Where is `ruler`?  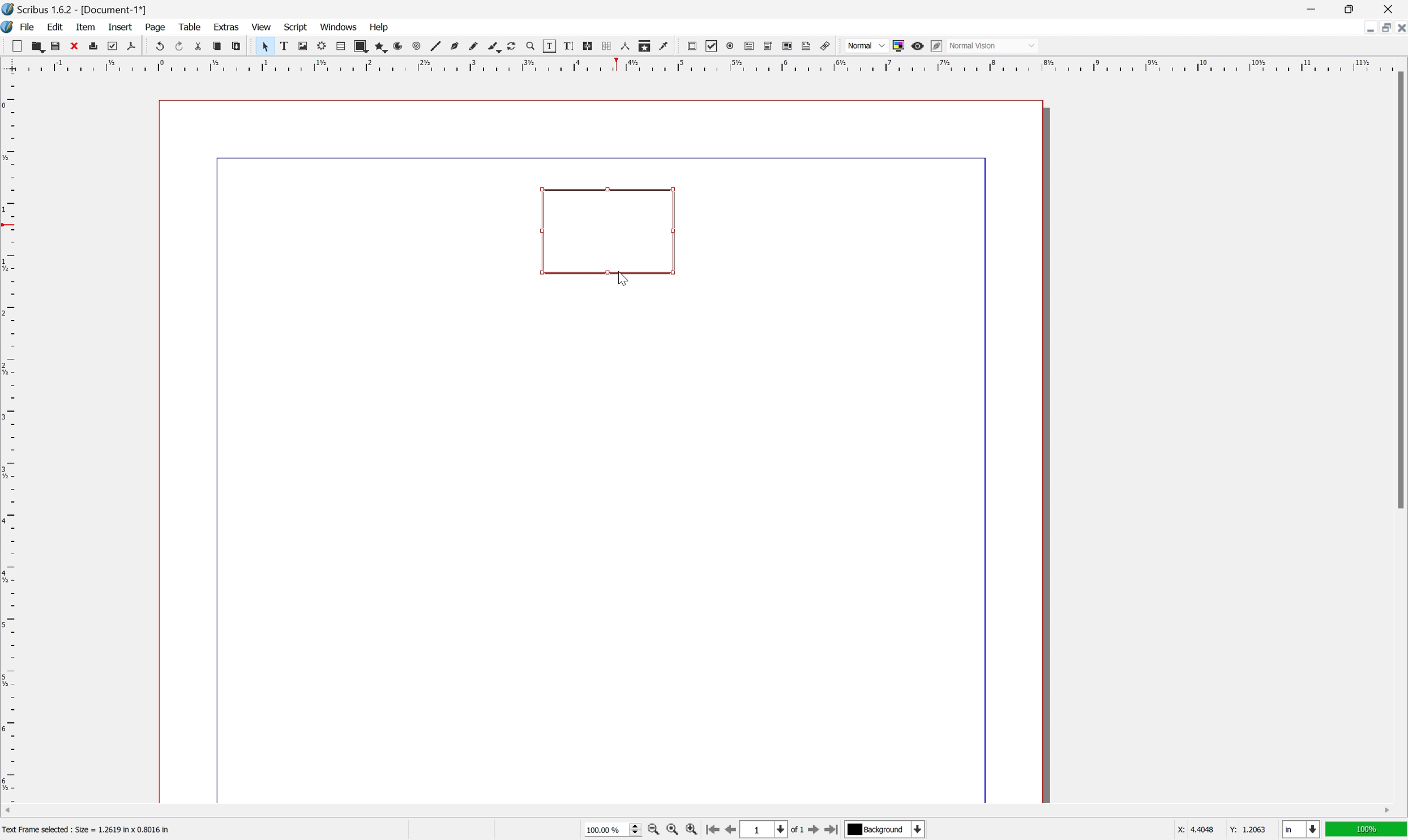 ruler is located at coordinates (700, 65).